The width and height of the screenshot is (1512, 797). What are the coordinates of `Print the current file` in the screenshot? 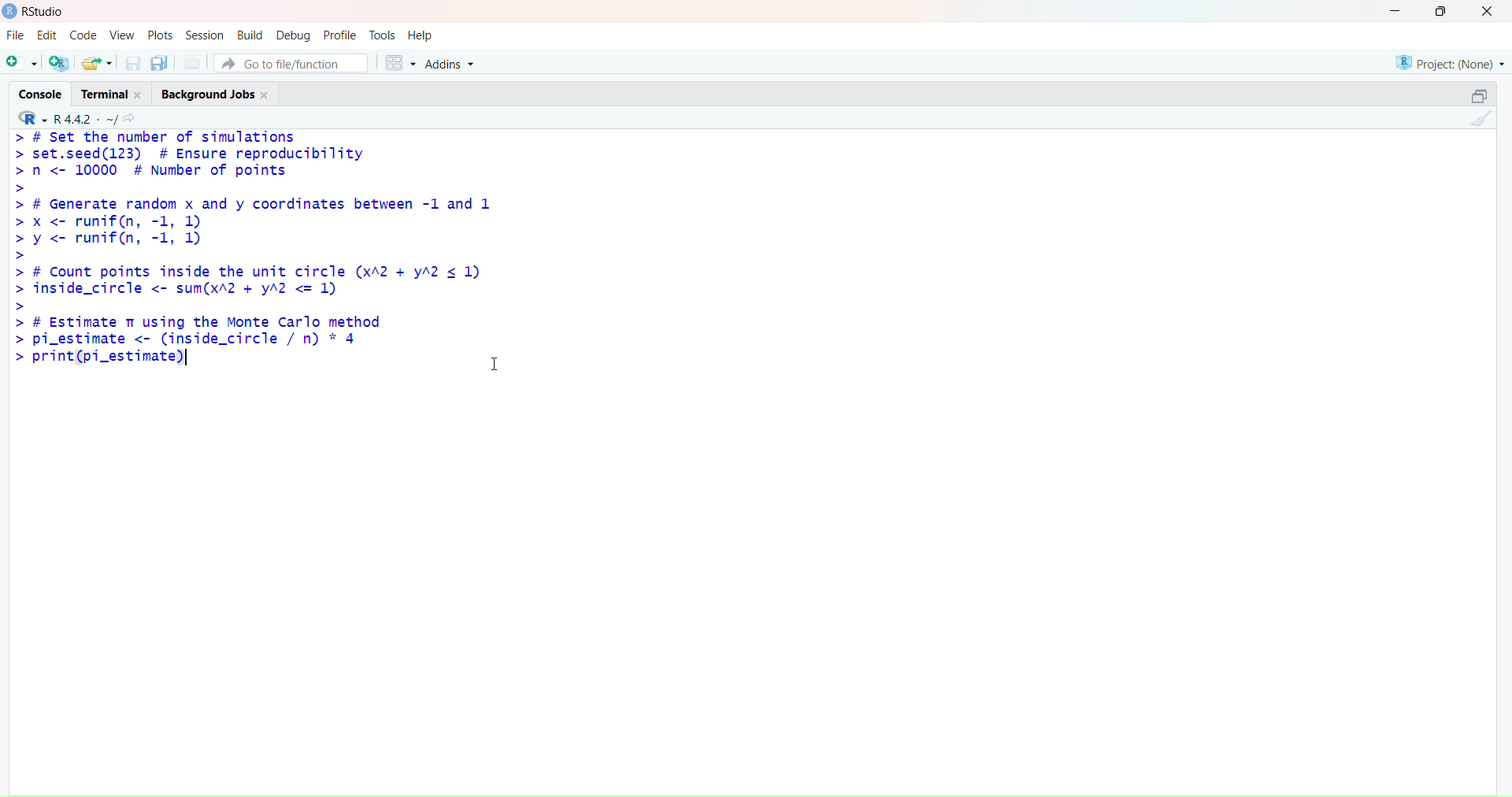 It's located at (195, 60).